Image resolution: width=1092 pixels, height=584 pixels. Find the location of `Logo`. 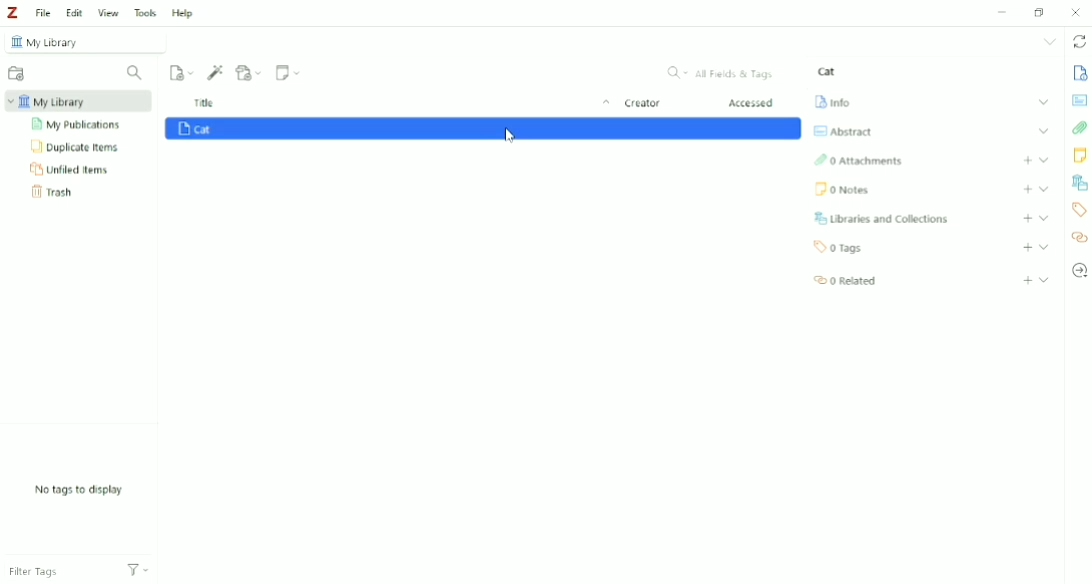

Logo is located at coordinates (12, 12).